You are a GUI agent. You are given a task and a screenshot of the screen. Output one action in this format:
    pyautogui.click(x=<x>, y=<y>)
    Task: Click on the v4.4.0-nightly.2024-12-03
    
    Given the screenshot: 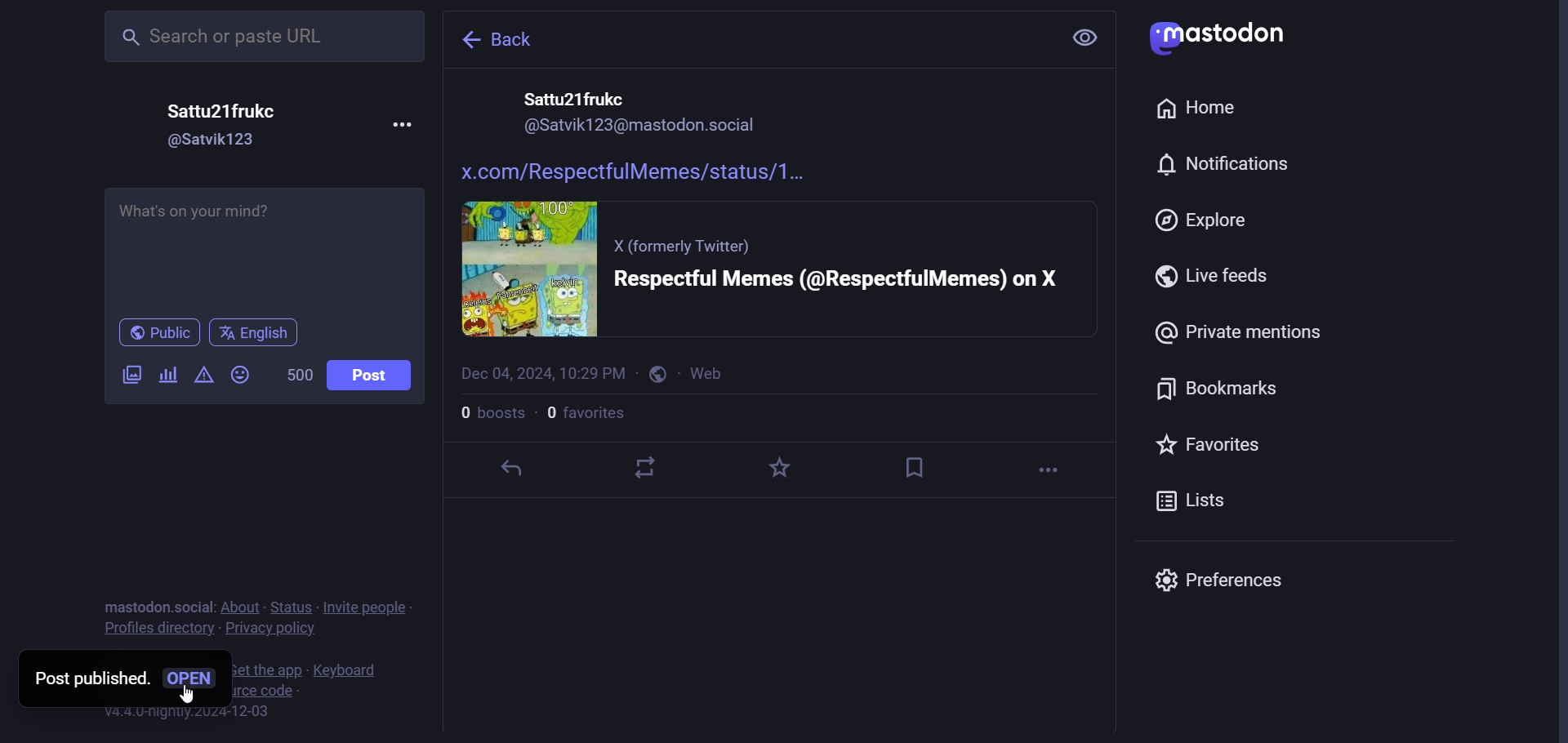 What is the action you would take?
    pyautogui.click(x=193, y=713)
    